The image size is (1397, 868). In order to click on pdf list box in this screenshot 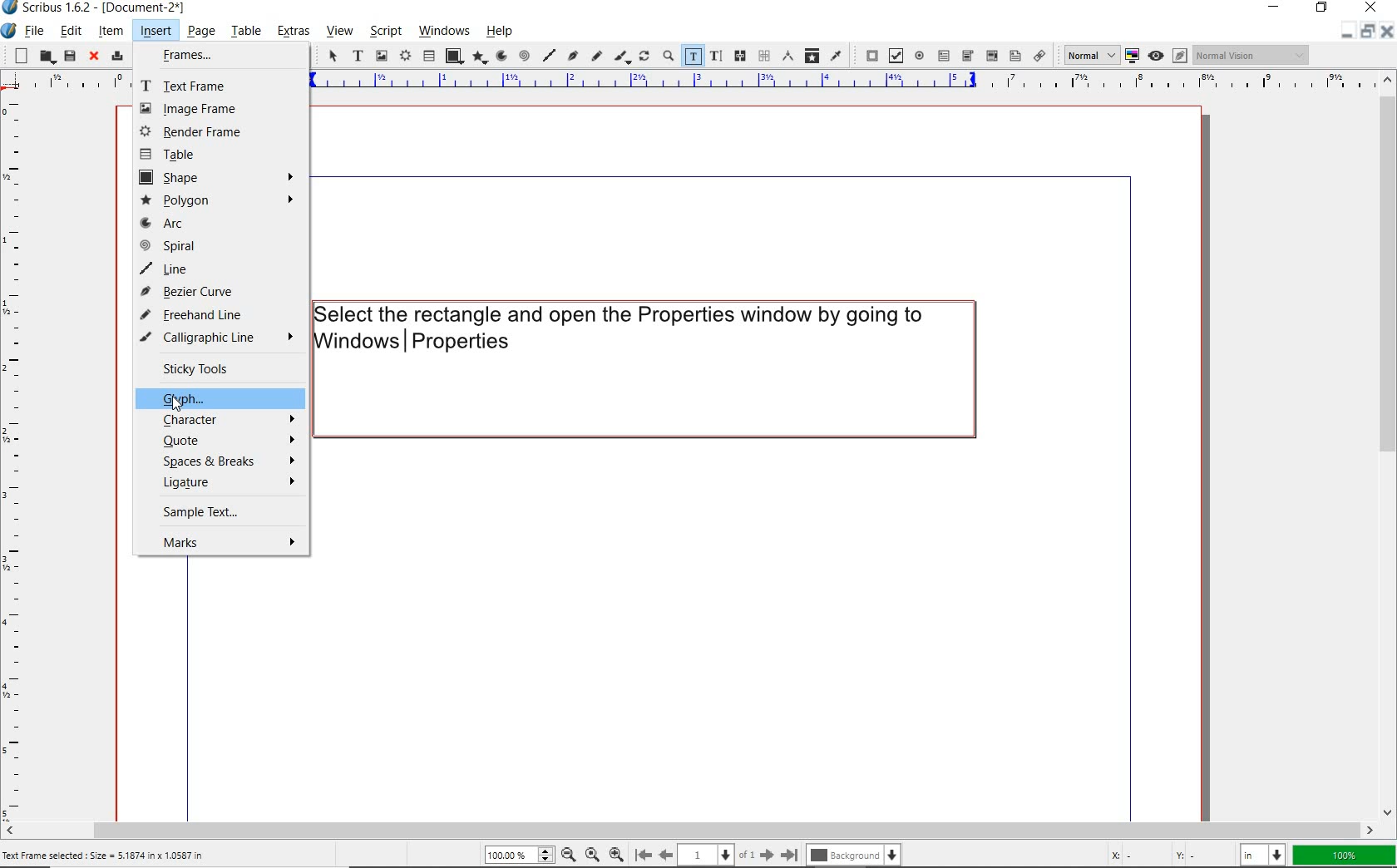, I will do `click(992, 57)`.